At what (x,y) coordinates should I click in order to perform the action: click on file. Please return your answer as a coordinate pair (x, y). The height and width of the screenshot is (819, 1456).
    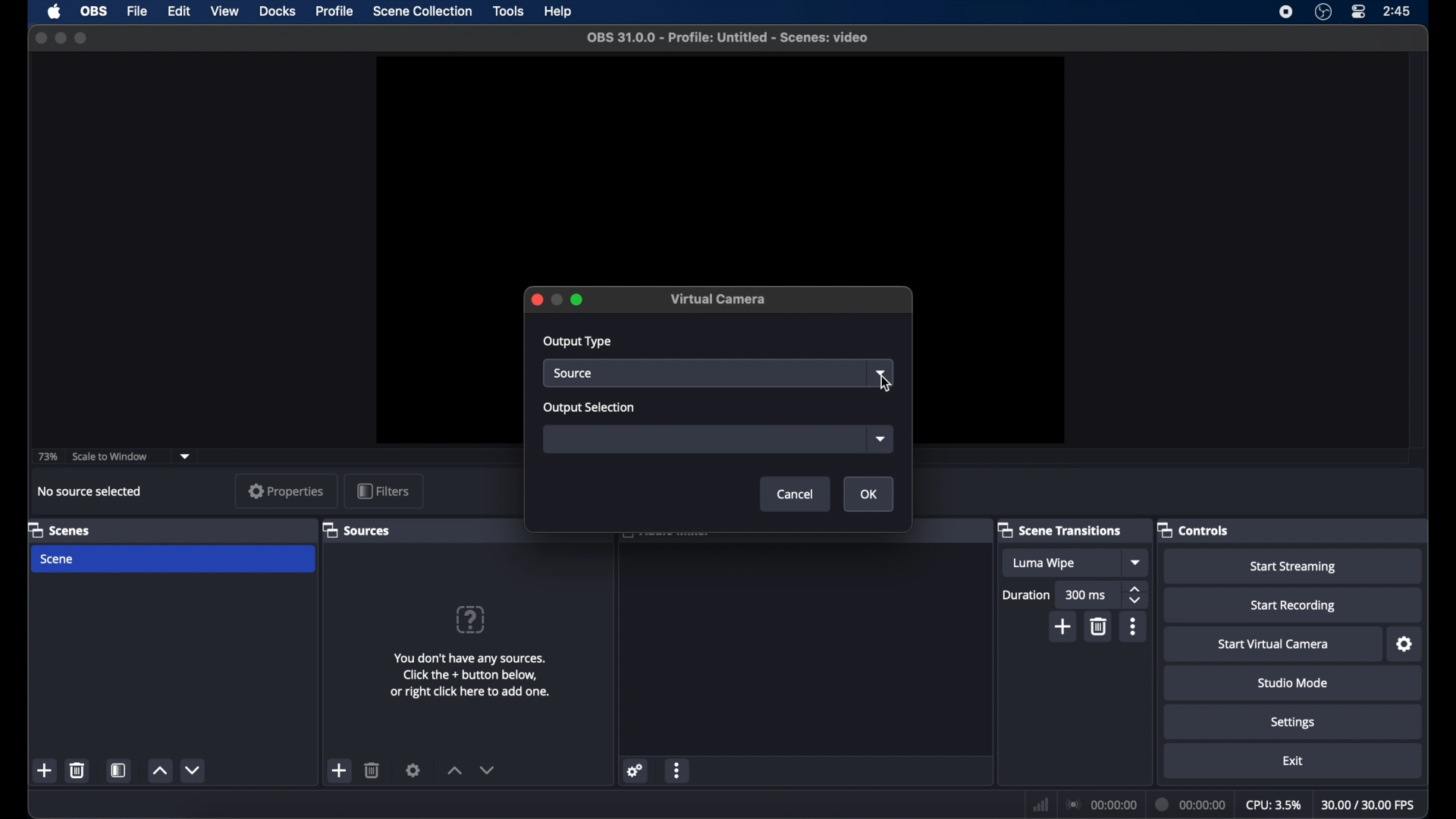
    Looking at the image, I should click on (137, 12).